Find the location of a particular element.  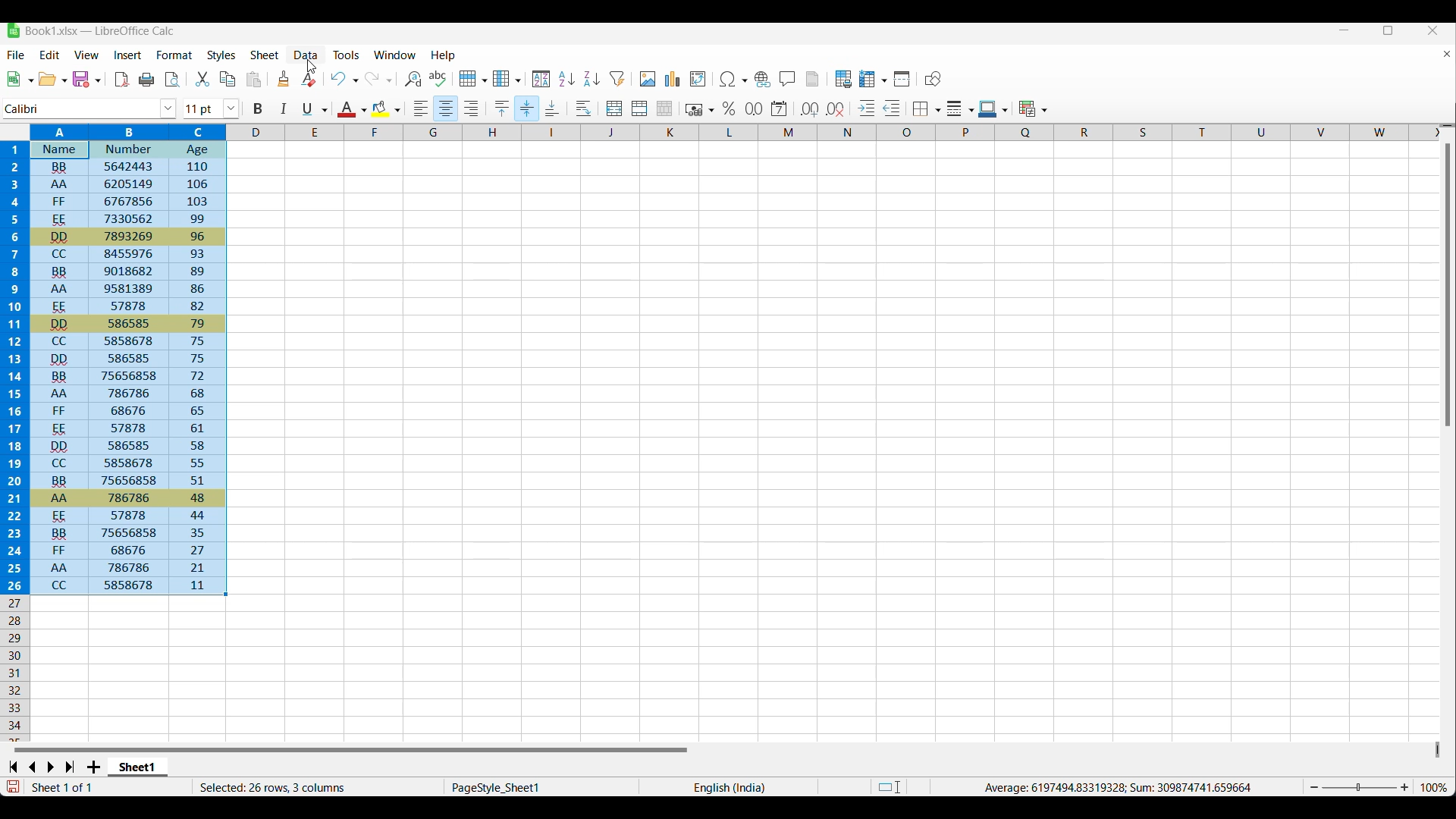

cursor is located at coordinates (309, 67).